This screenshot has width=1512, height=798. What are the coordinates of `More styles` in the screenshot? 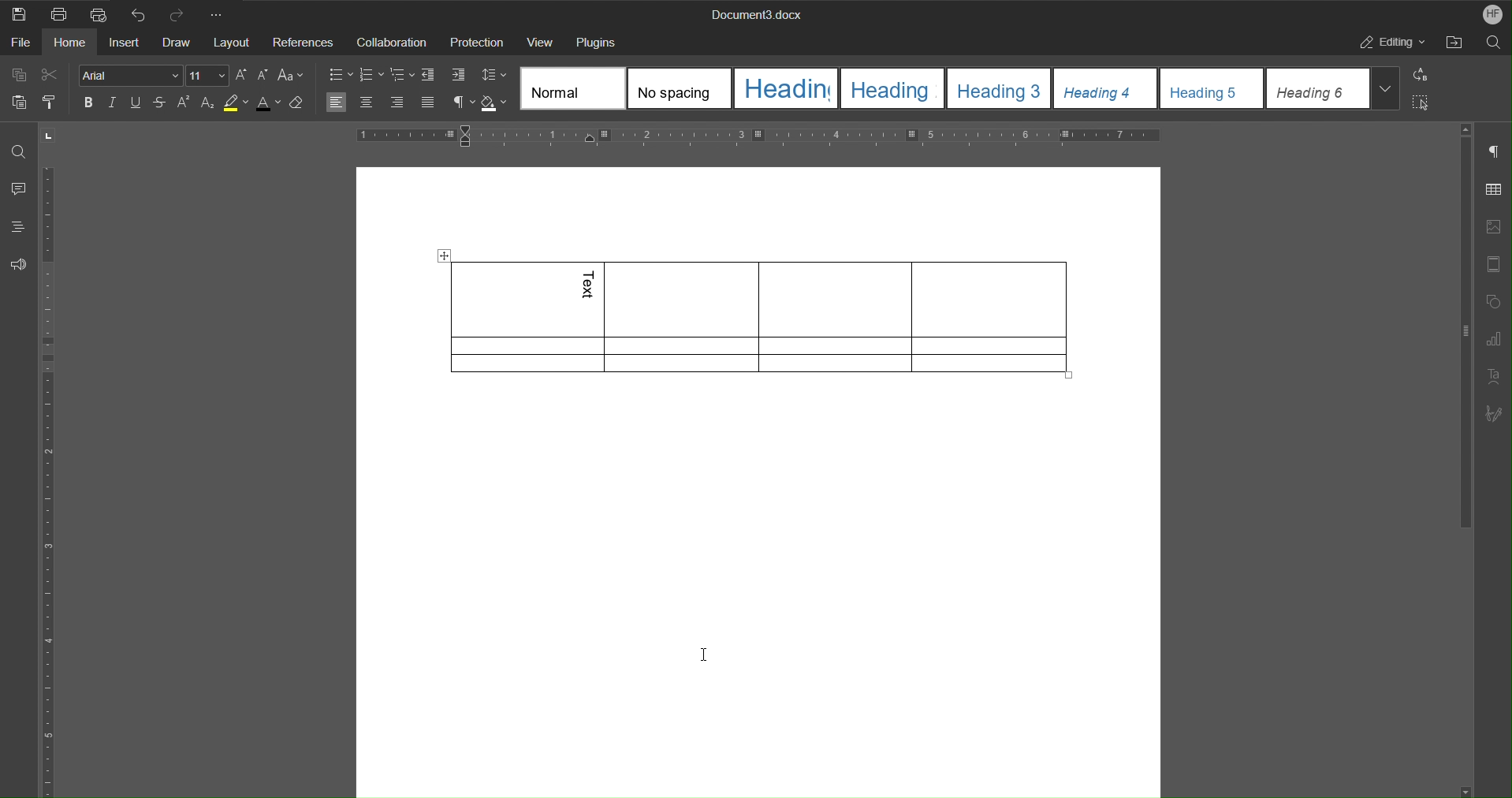 It's located at (1387, 88).